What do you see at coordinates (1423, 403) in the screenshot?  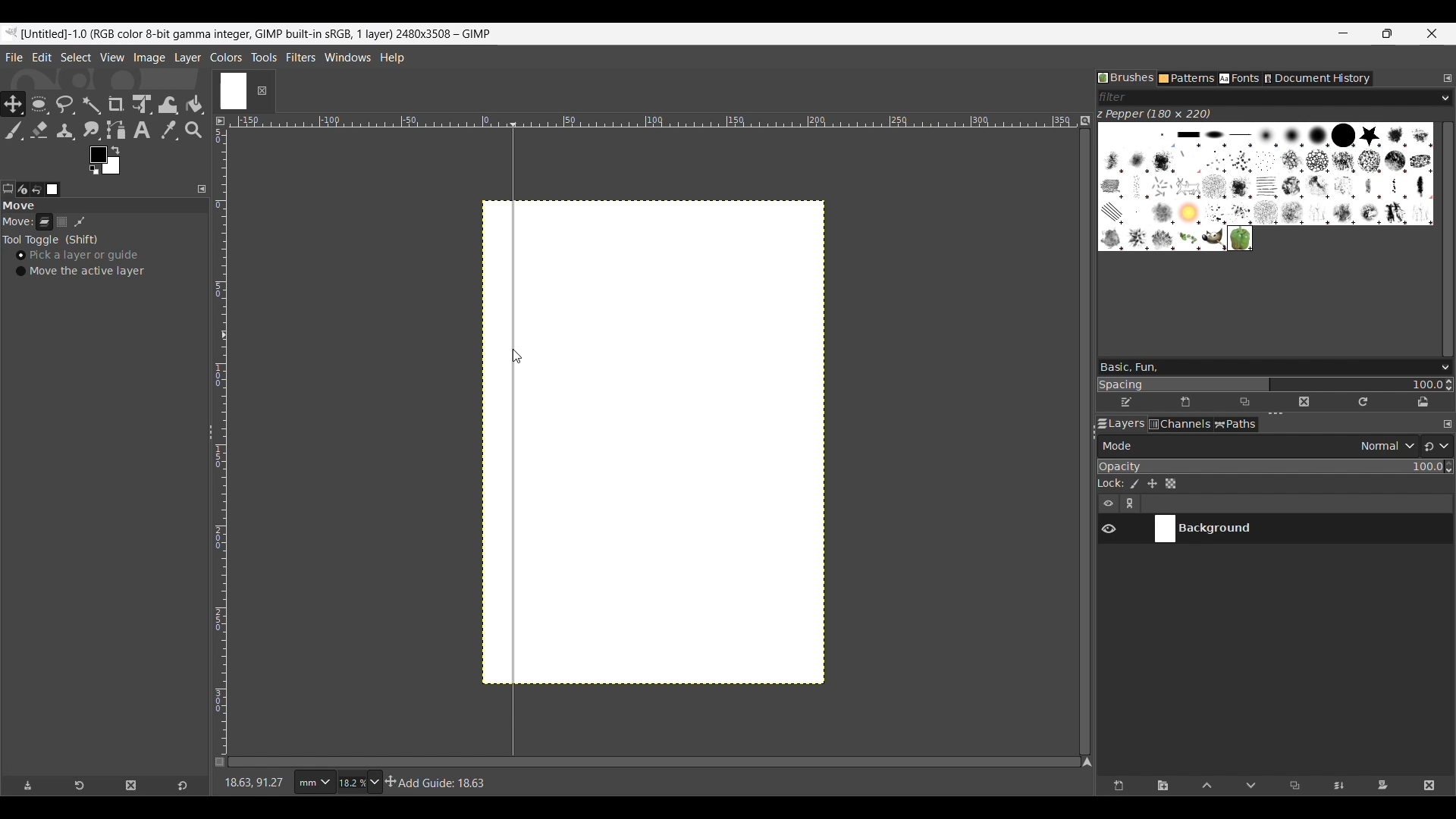 I see `Open brush as image` at bounding box center [1423, 403].